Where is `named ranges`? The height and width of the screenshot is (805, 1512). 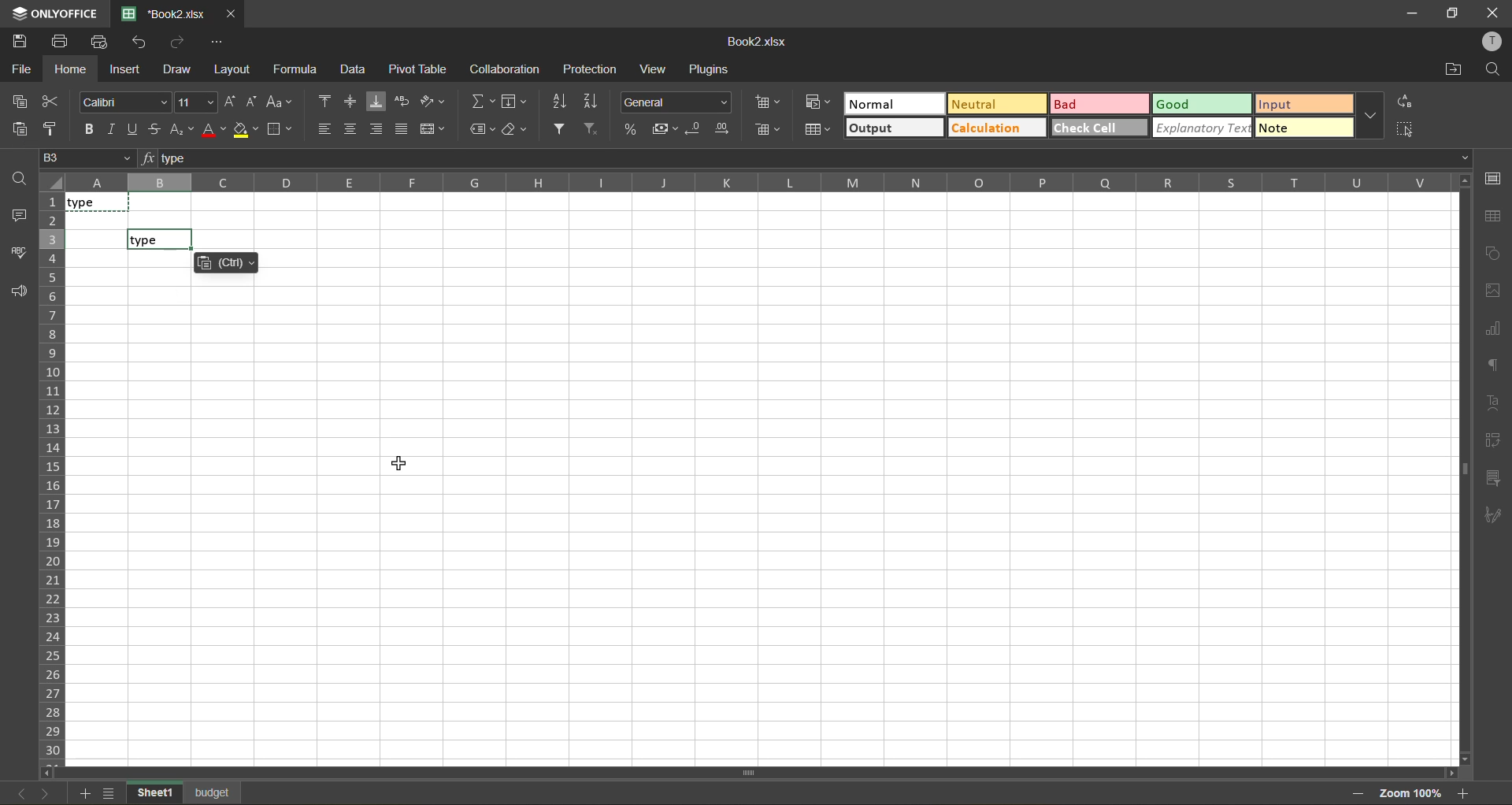
named ranges is located at coordinates (478, 127).